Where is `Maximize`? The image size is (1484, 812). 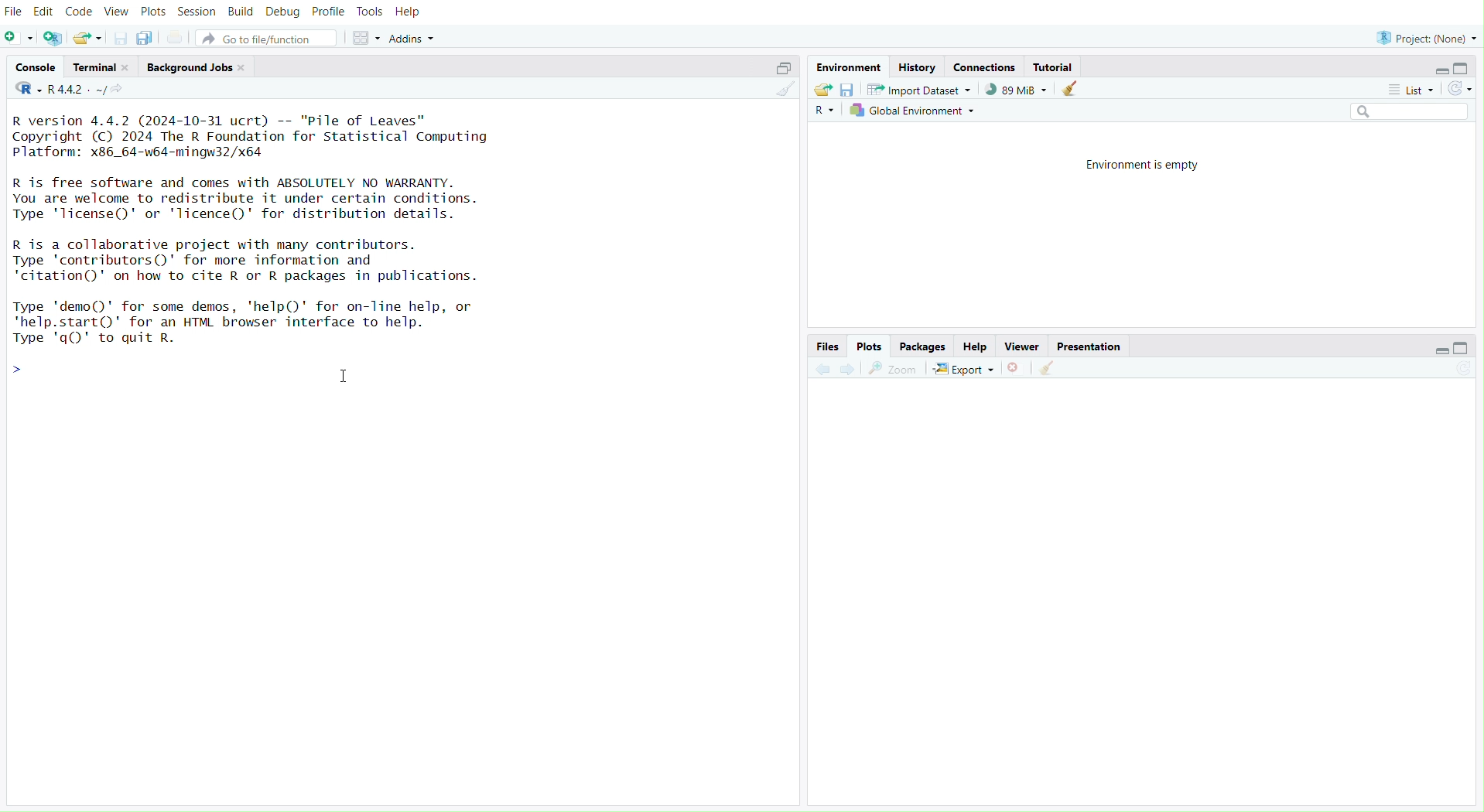
Maximize is located at coordinates (1458, 67).